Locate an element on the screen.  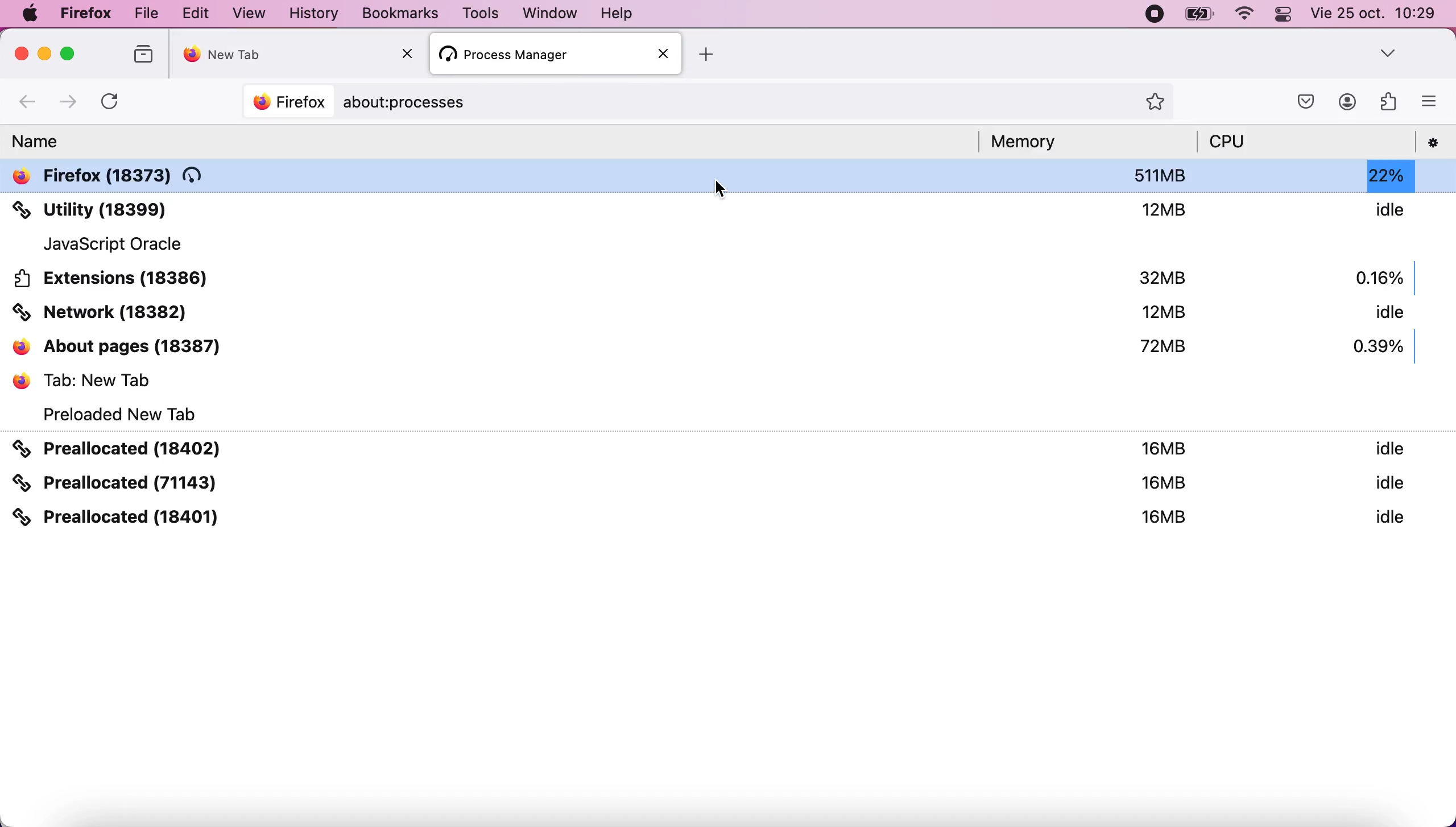
Apple menu is located at coordinates (30, 13).